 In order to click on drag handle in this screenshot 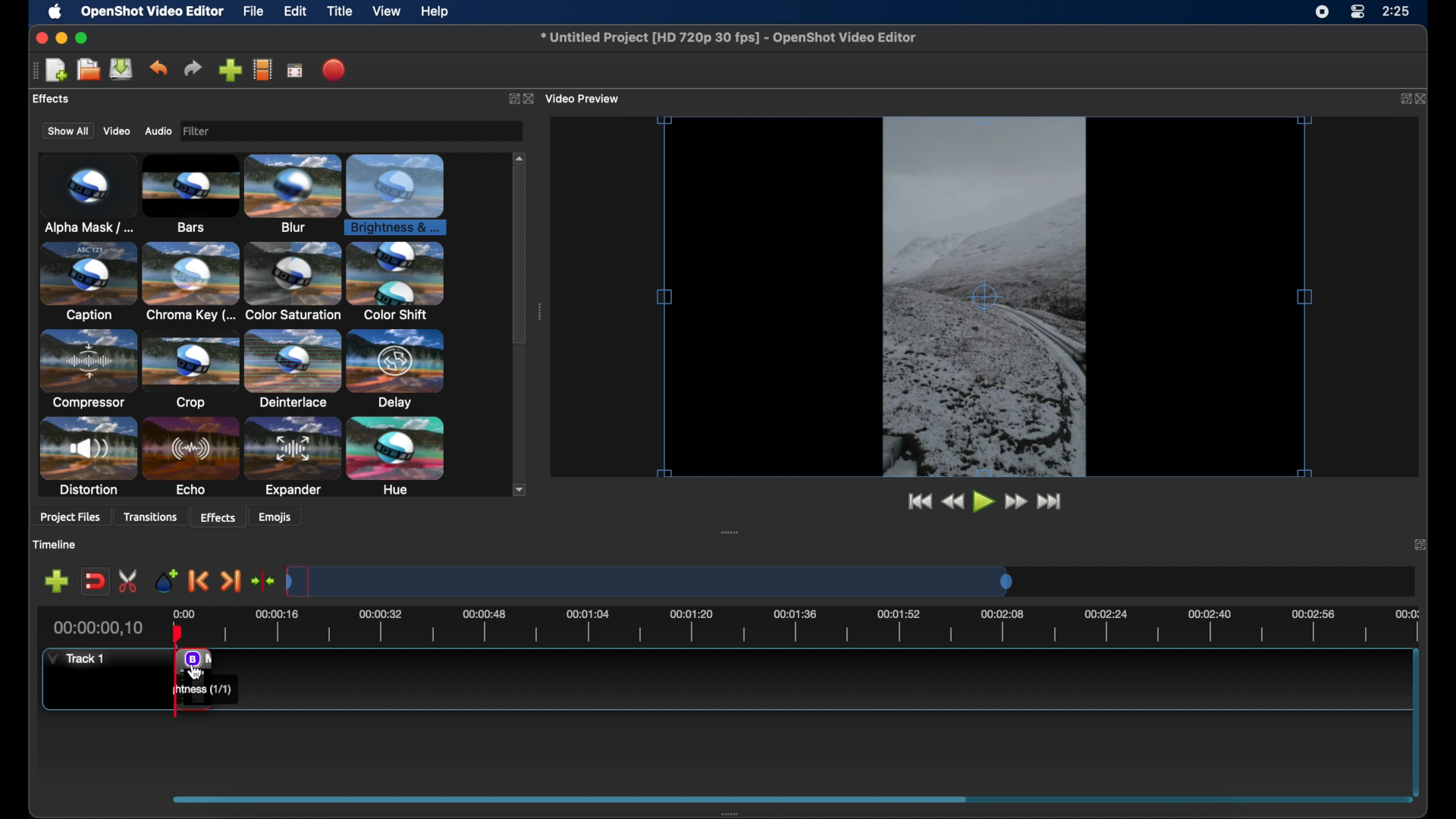, I will do `click(731, 532)`.